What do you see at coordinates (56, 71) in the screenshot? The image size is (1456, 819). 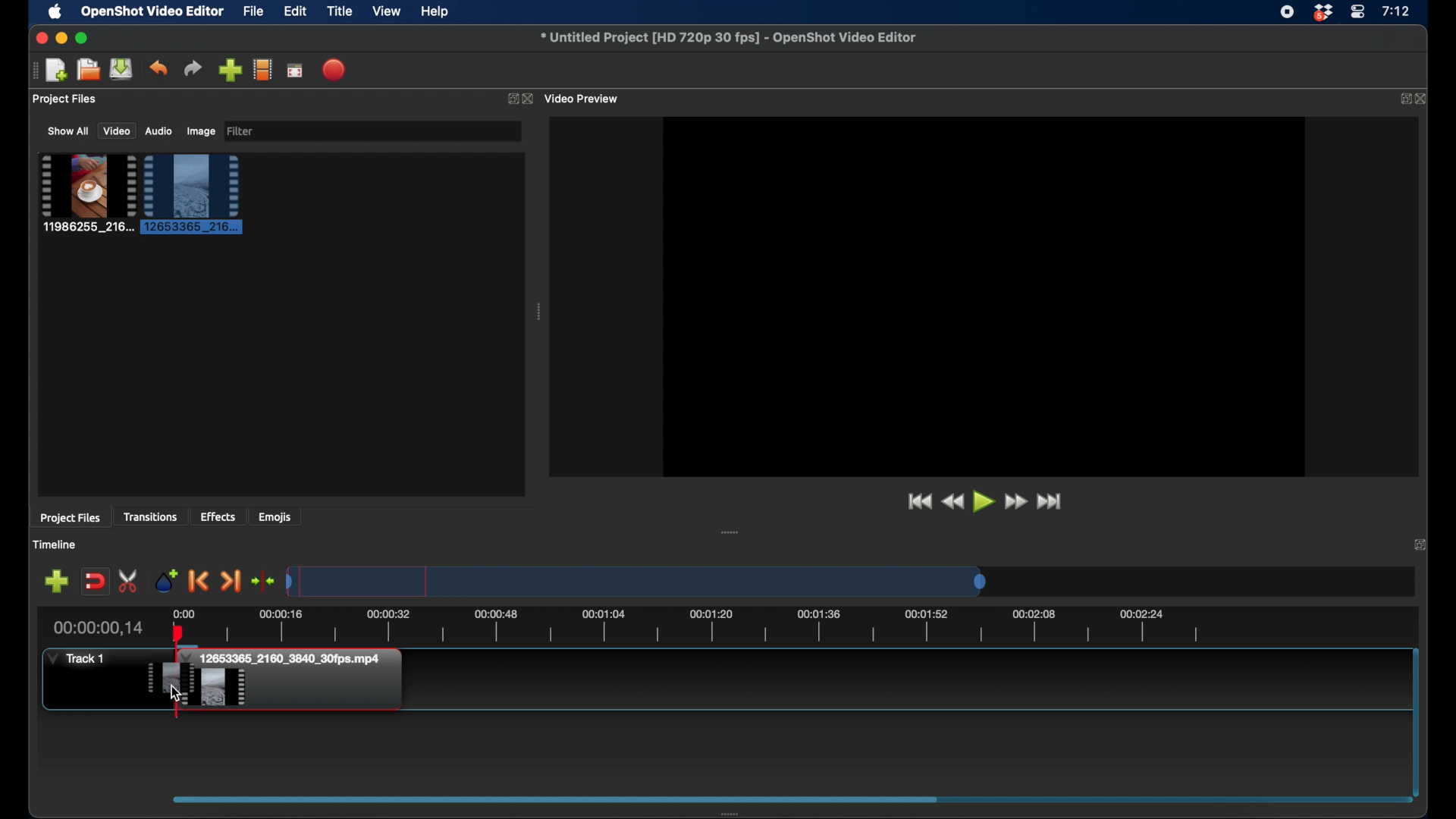 I see `new project` at bounding box center [56, 71].